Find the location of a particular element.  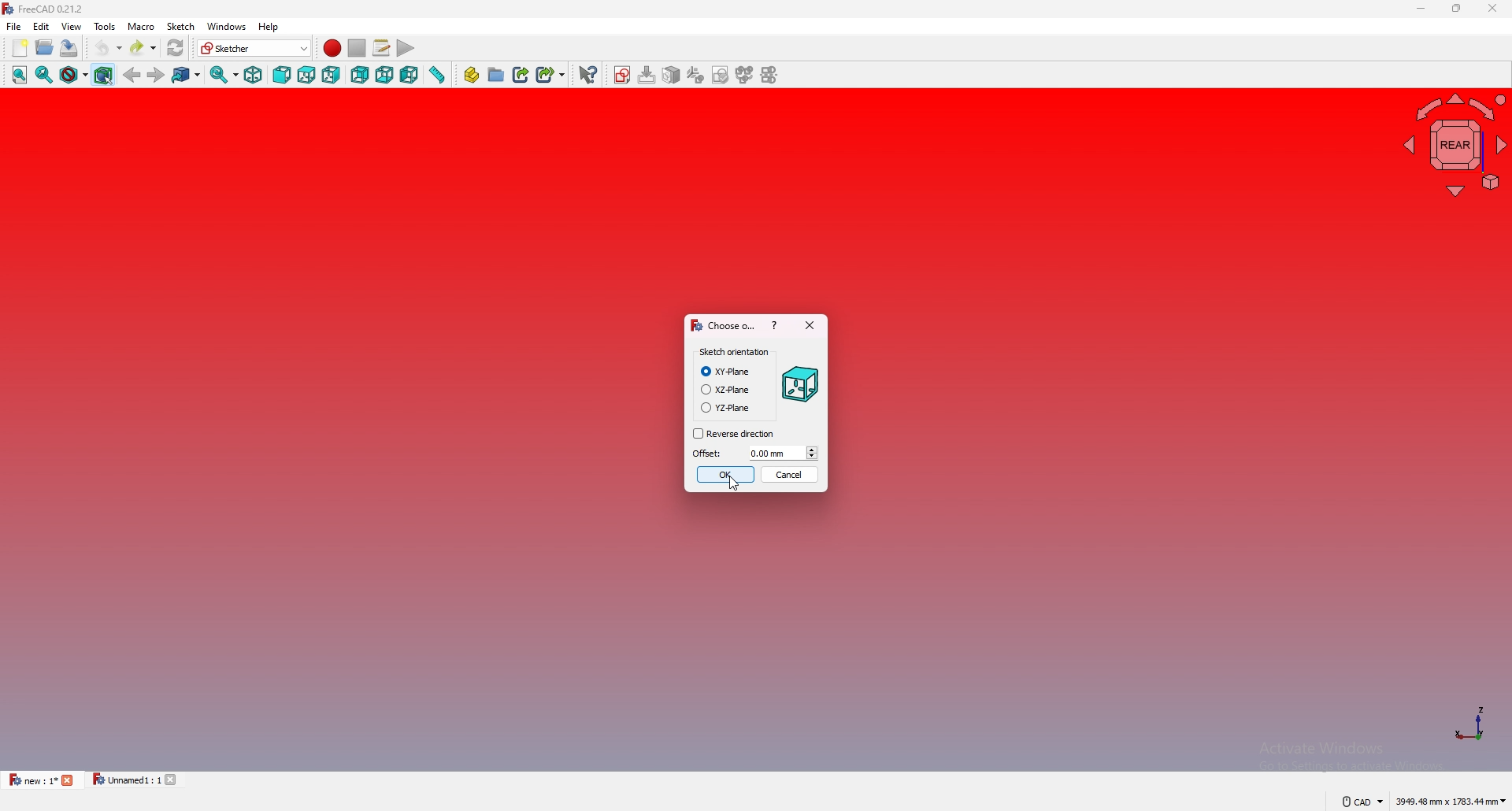

close is located at coordinates (69, 780).